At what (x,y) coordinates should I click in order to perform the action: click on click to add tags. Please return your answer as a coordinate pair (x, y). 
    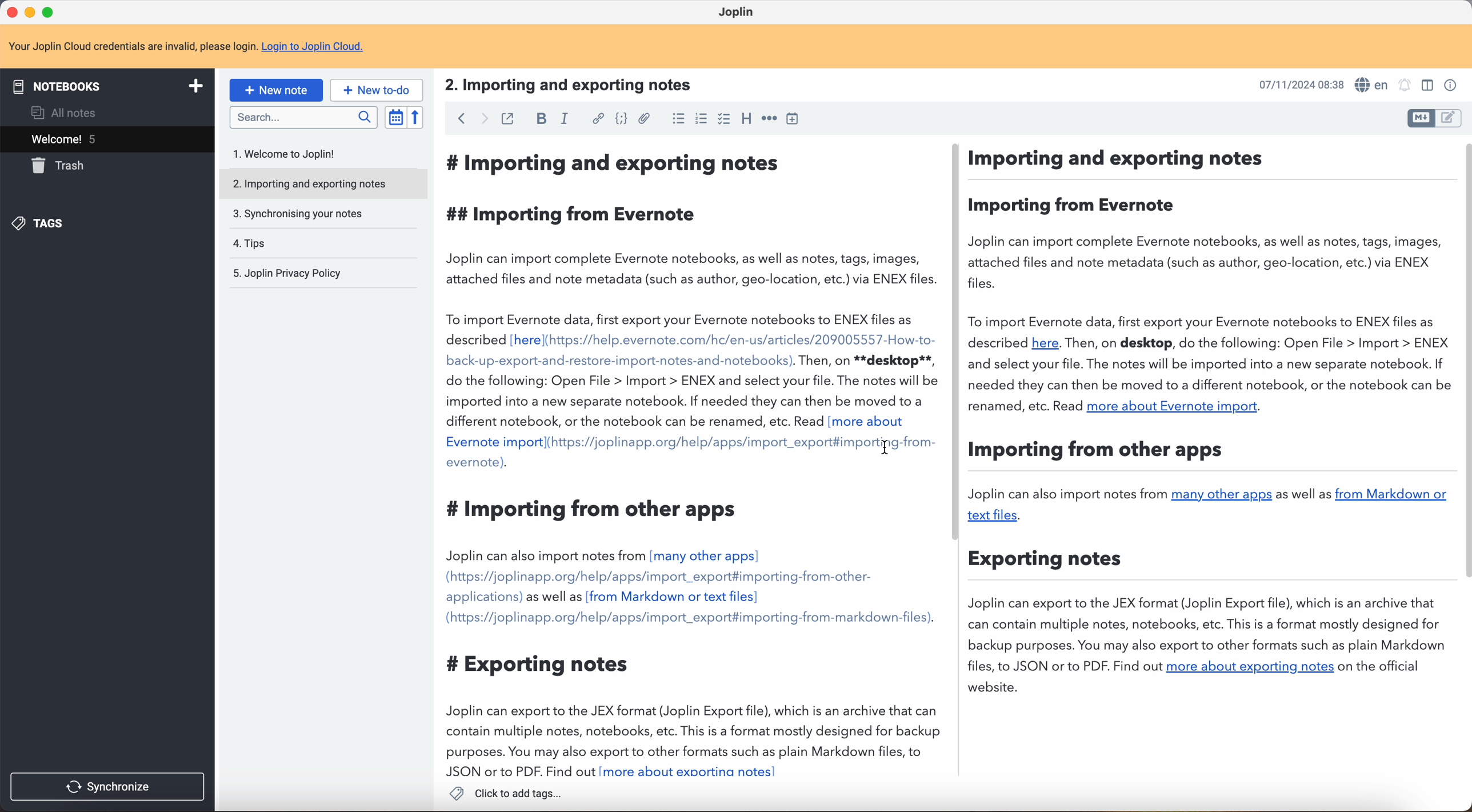
    Looking at the image, I should click on (504, 793).